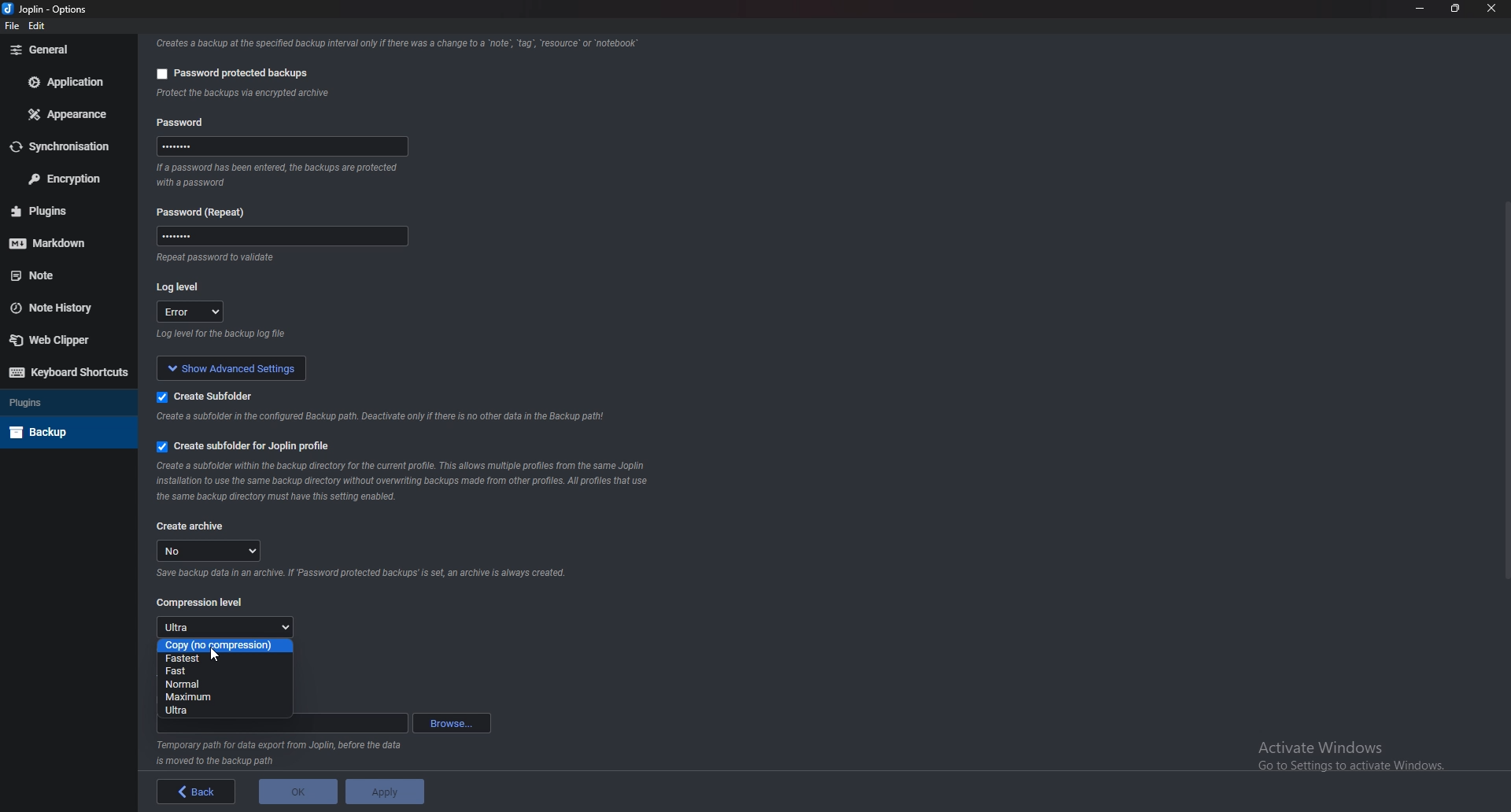  Describe the element at coordinates (192, 792) in the screenshot. I see `back` at that location.